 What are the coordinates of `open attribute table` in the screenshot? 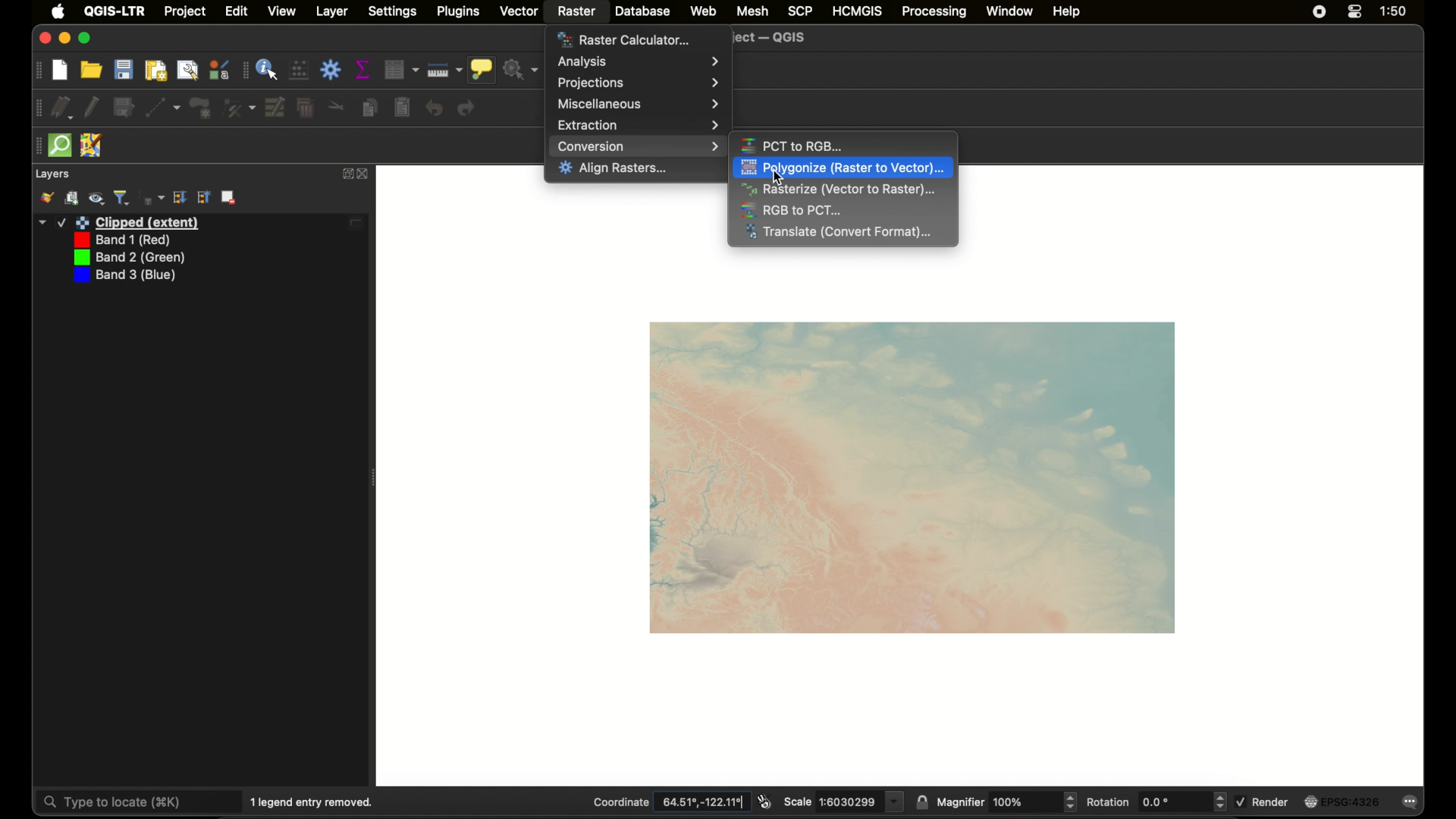 It's located at (401, 70).